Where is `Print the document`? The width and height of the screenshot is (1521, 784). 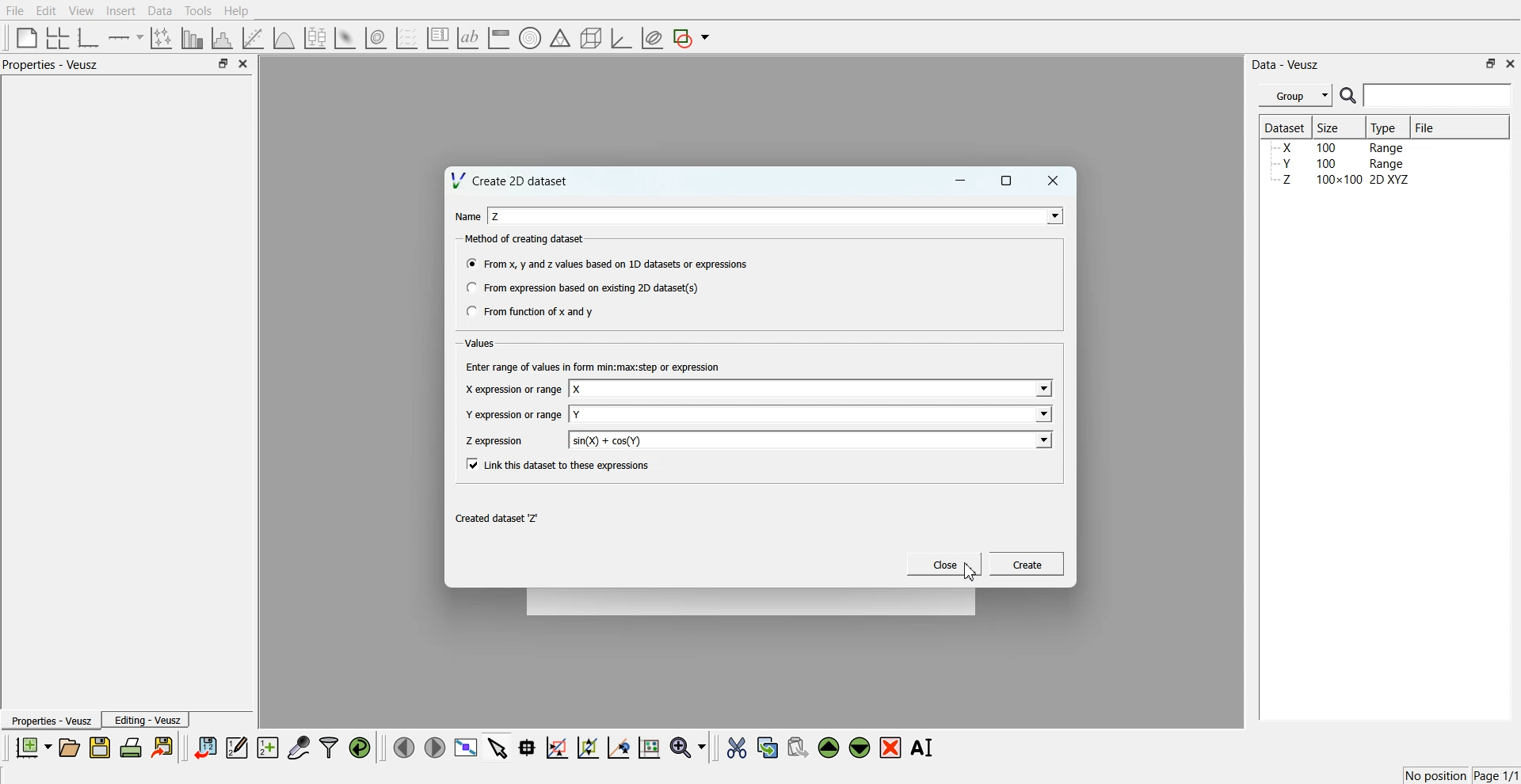
Print the document is located at coordinates (130, 747).